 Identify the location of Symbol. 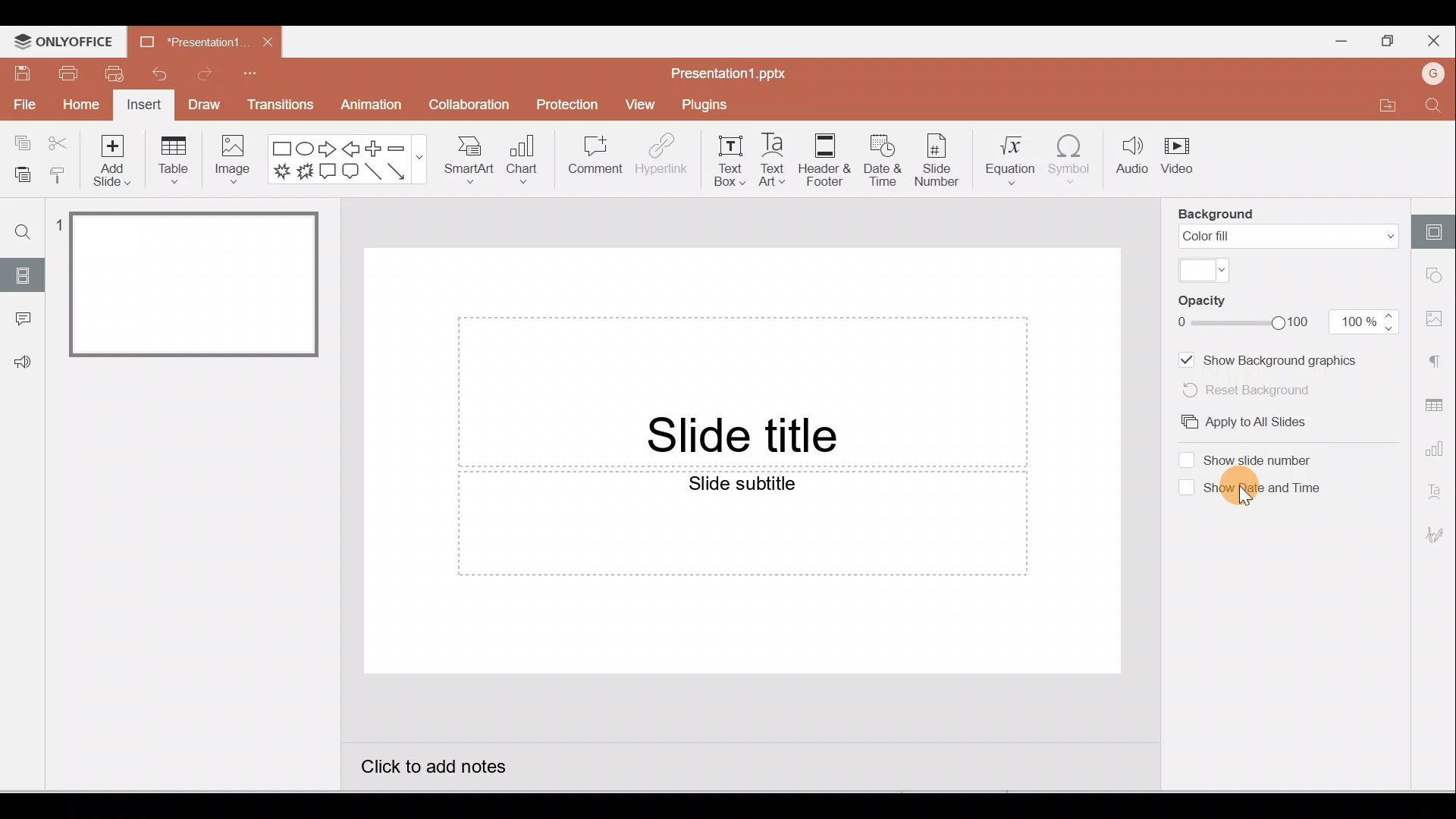
(1075, 160).